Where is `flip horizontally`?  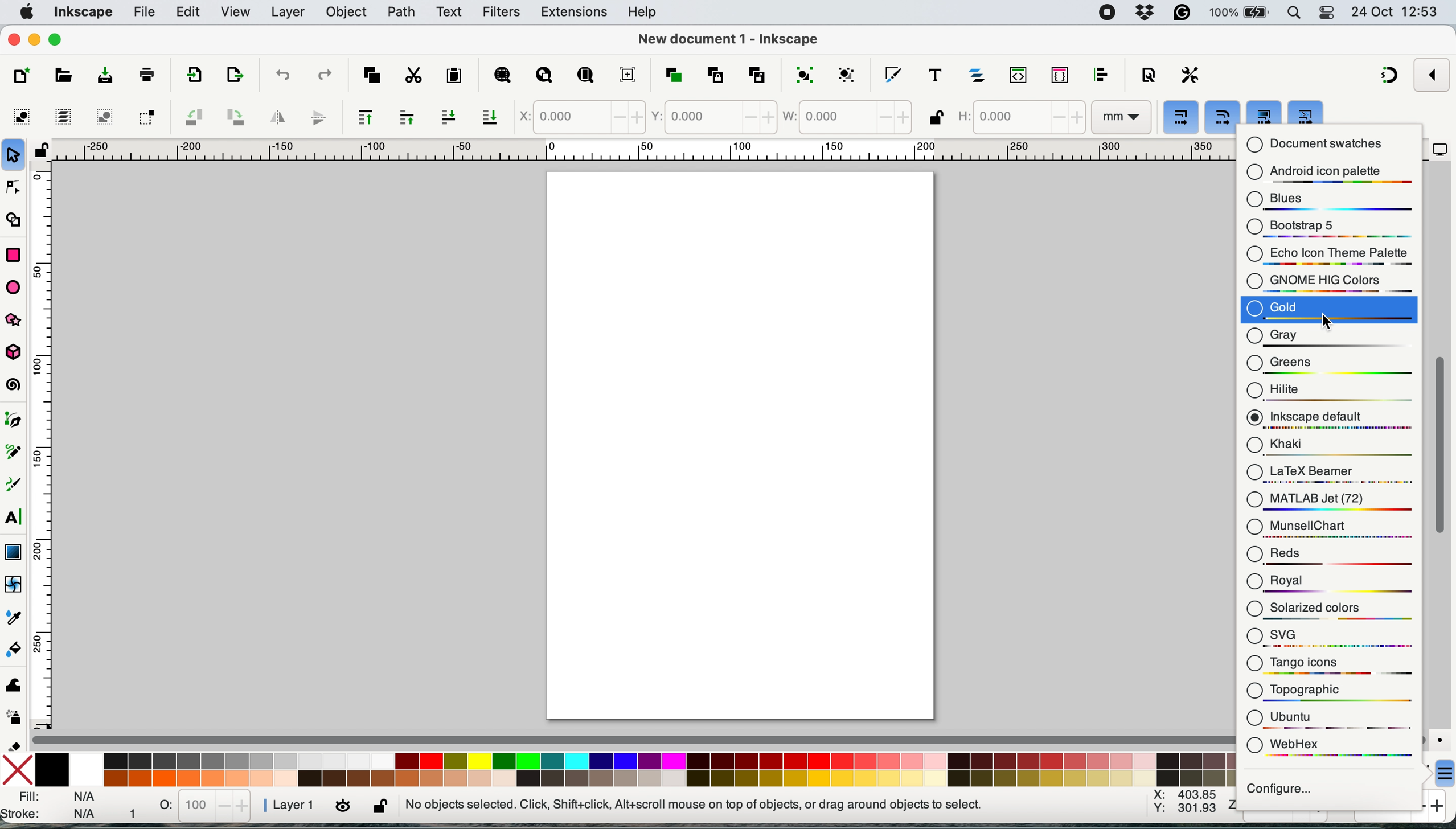 flip horizontally is located at coordinates (274, 118).